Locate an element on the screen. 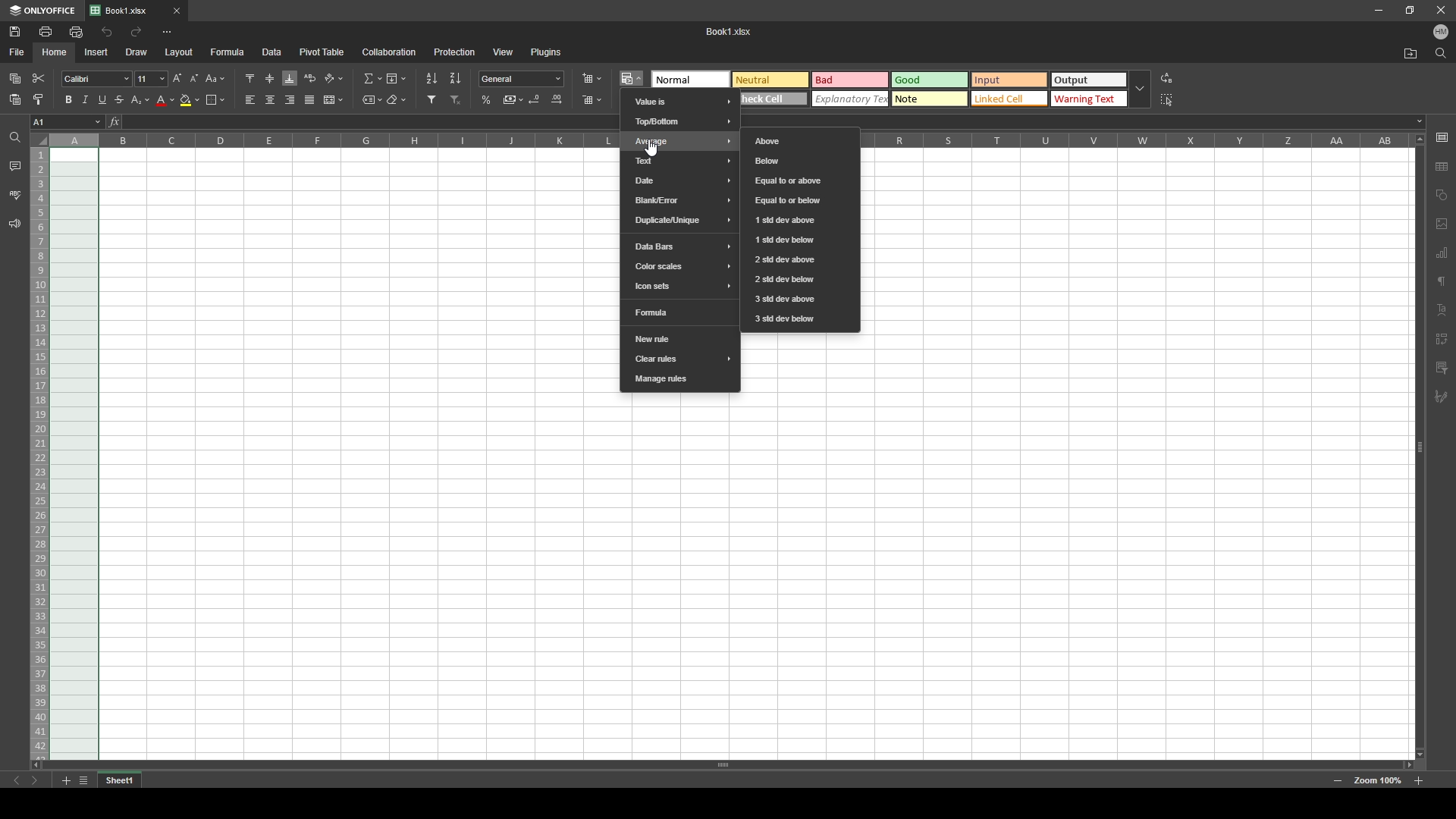 The width and height of the screenshot is (1456, 819). file is located at coordinates (17, 51).